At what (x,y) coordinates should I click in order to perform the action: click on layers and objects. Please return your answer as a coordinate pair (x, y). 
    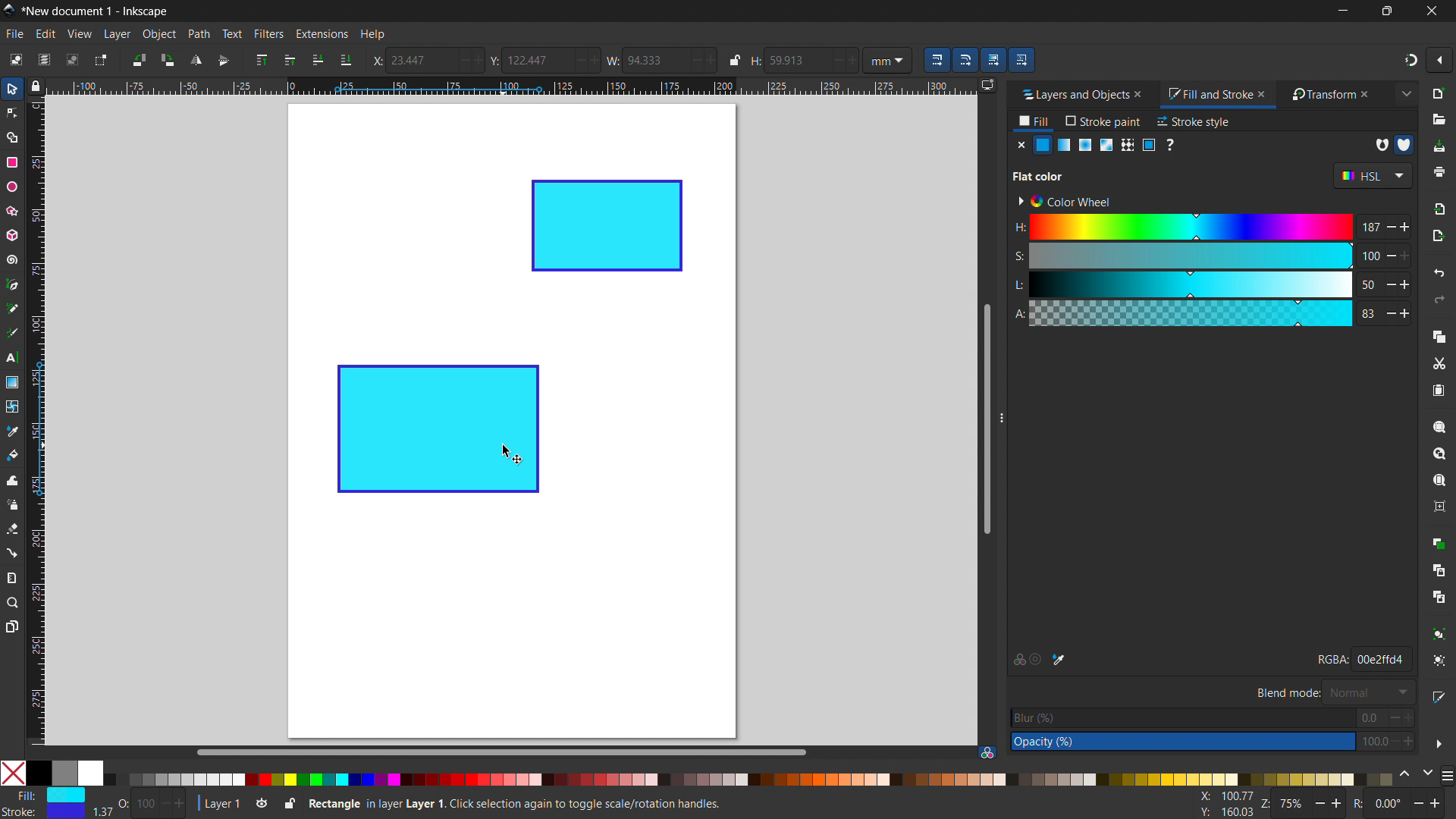
    Looking at the image, I should click on (1070, 94).